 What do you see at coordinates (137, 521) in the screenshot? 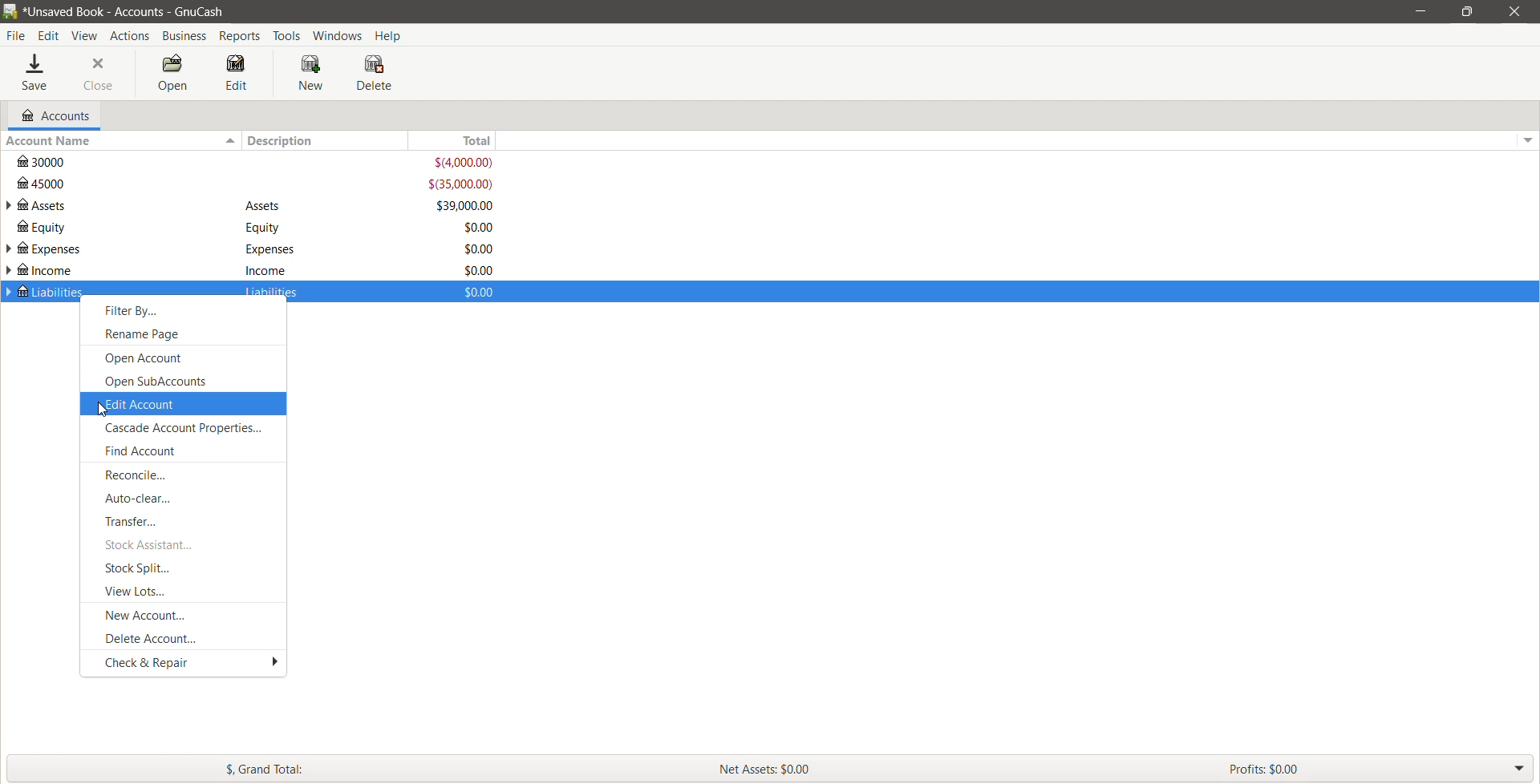
I see `Transfer` at bounding box center [137, 521].